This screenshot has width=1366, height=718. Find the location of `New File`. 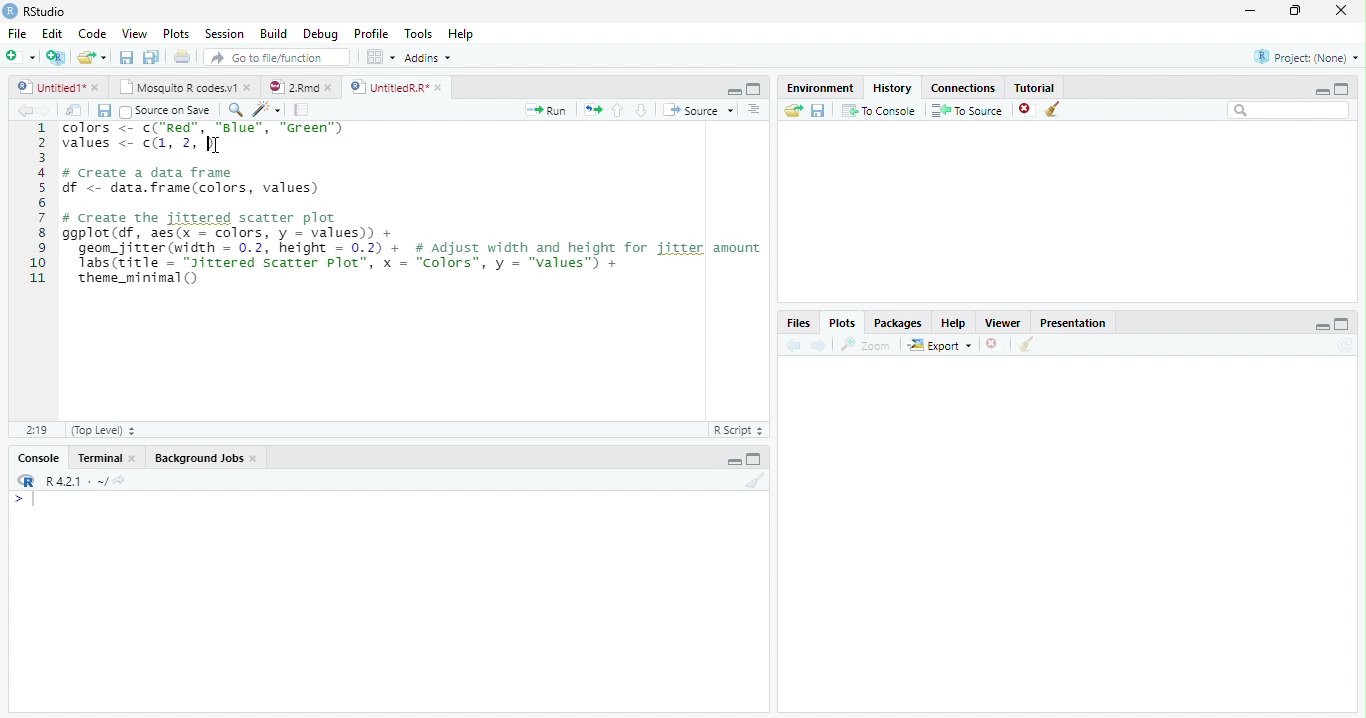

New File is located at coordinates (21, 57).